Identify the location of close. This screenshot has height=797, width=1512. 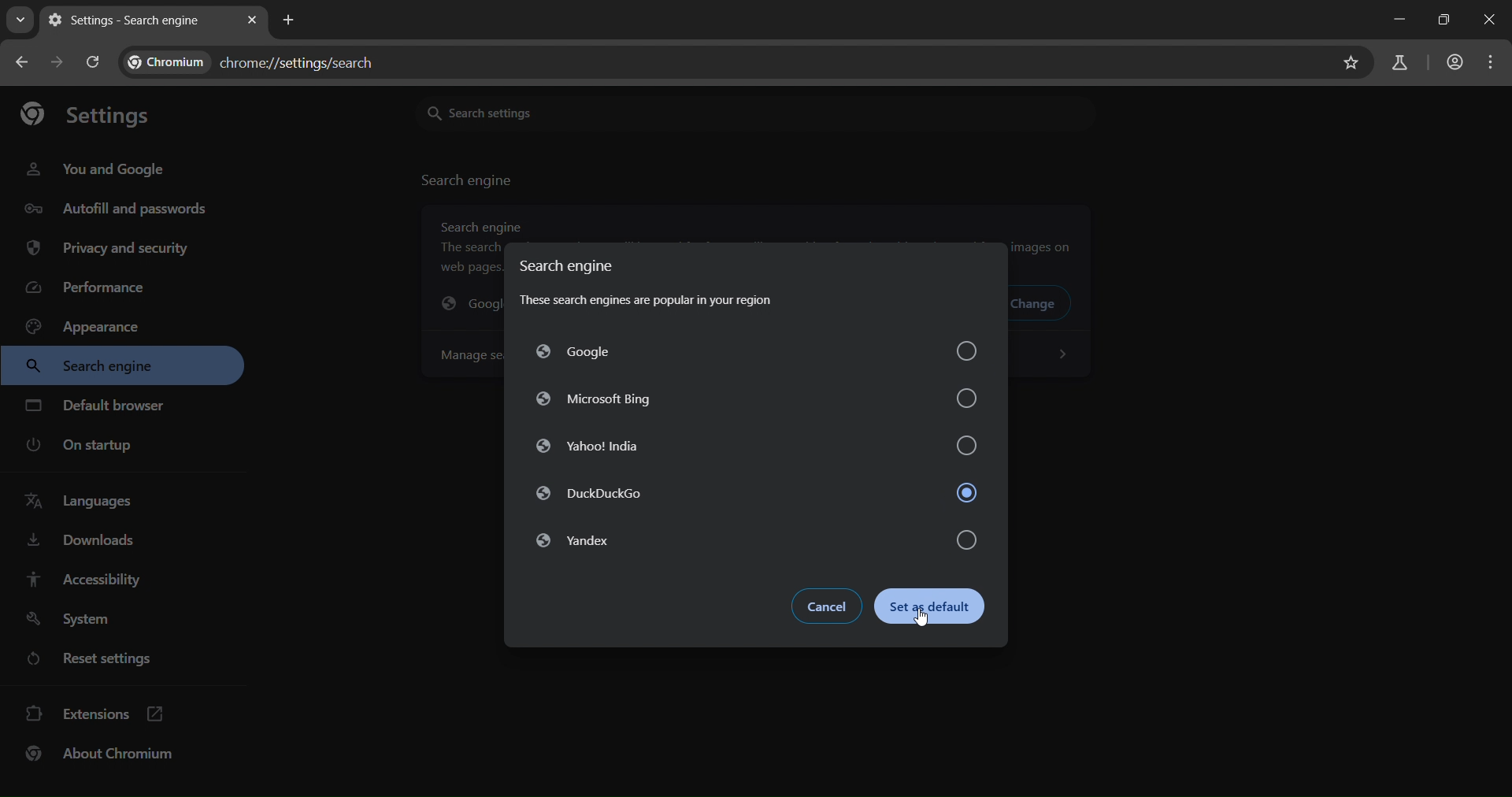
(1492, 19).